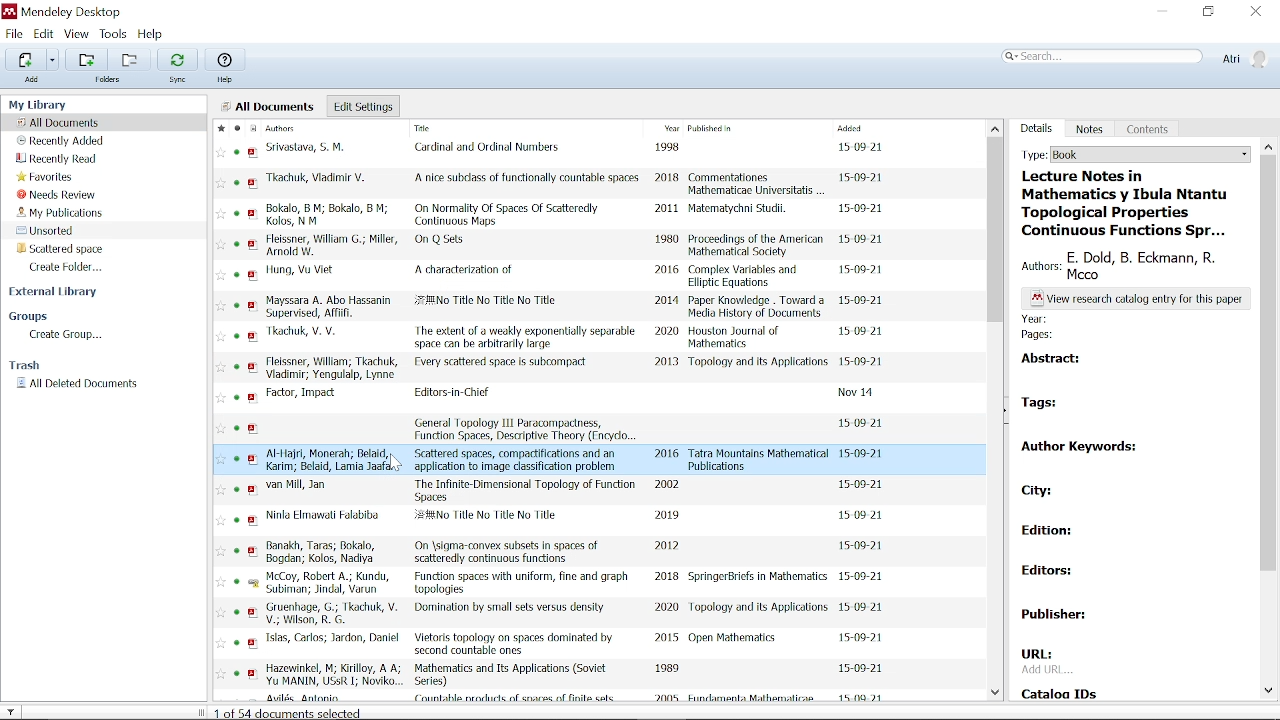 This screenshot has height=720, width=1280. I want to click on 2018, so click(667, 577).